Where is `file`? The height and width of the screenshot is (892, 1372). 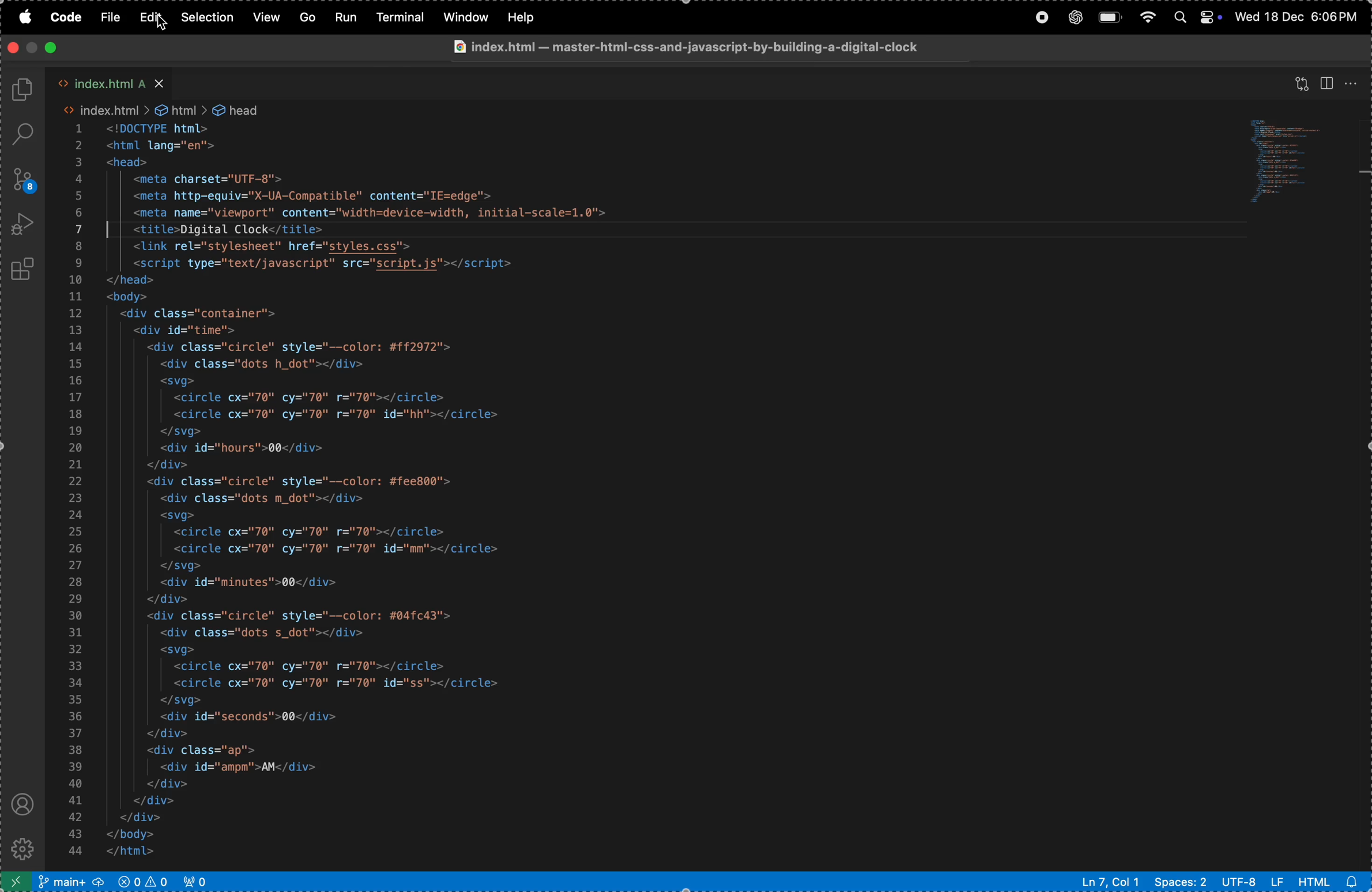 file is located at coordinates (111, 18).